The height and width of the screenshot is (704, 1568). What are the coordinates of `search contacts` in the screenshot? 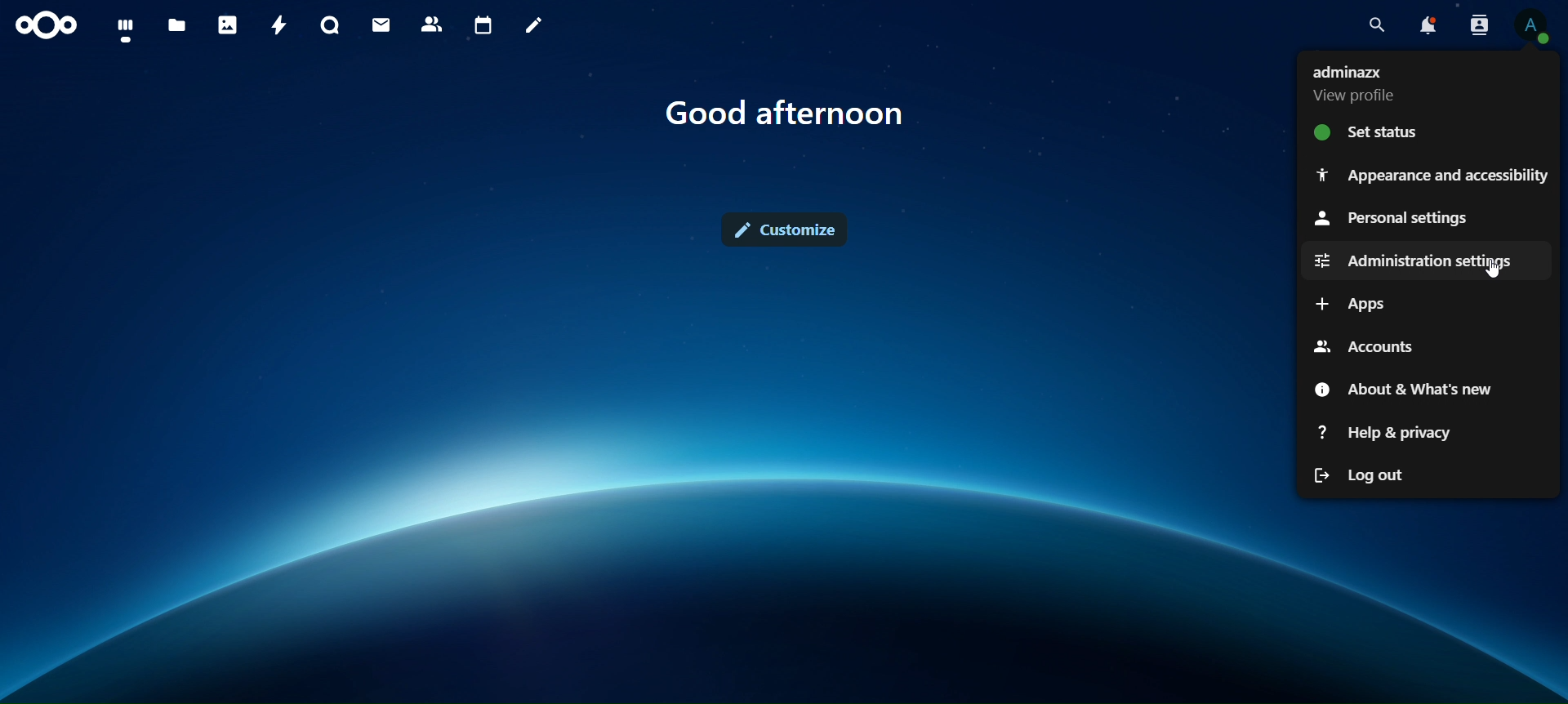 It's located at (1478, 25).